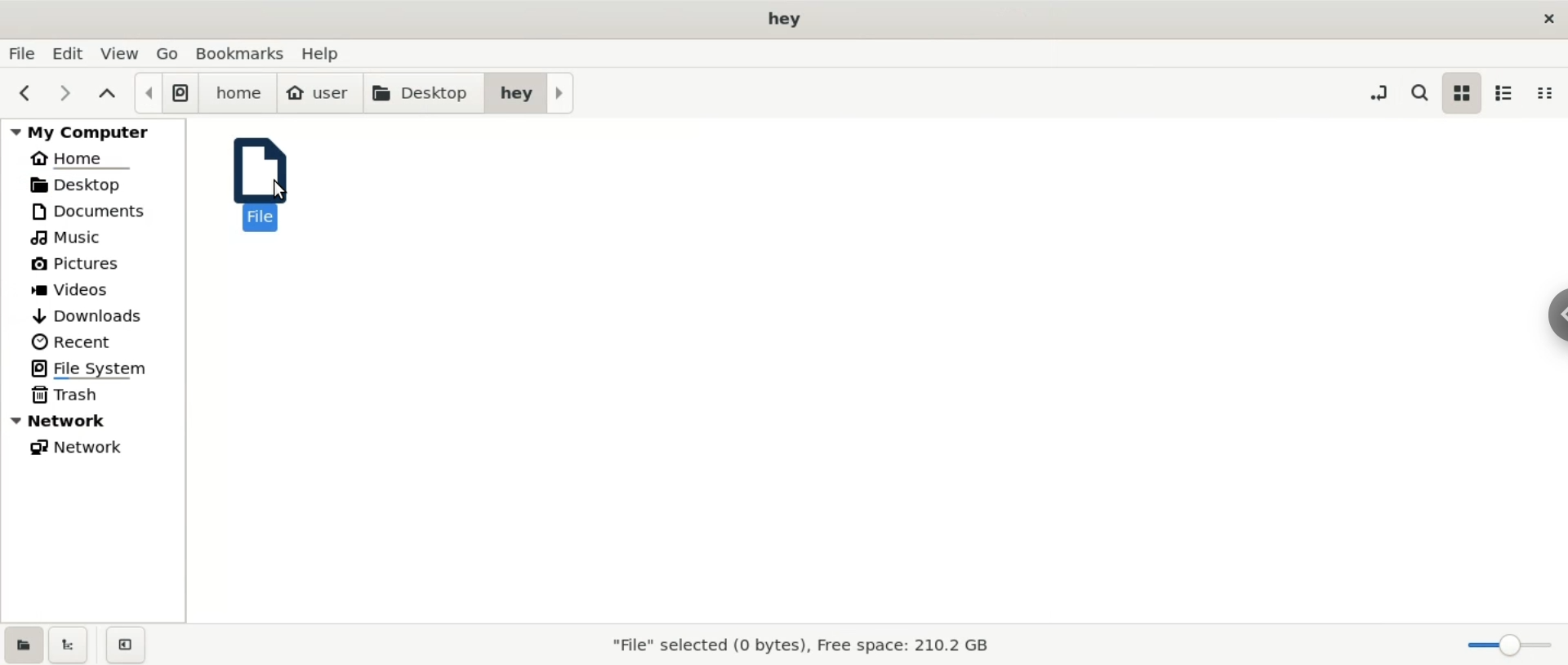 Image resolution: width=1568 pixels, height=665 pixels. I want to click on hey folders, so click(530, 92).